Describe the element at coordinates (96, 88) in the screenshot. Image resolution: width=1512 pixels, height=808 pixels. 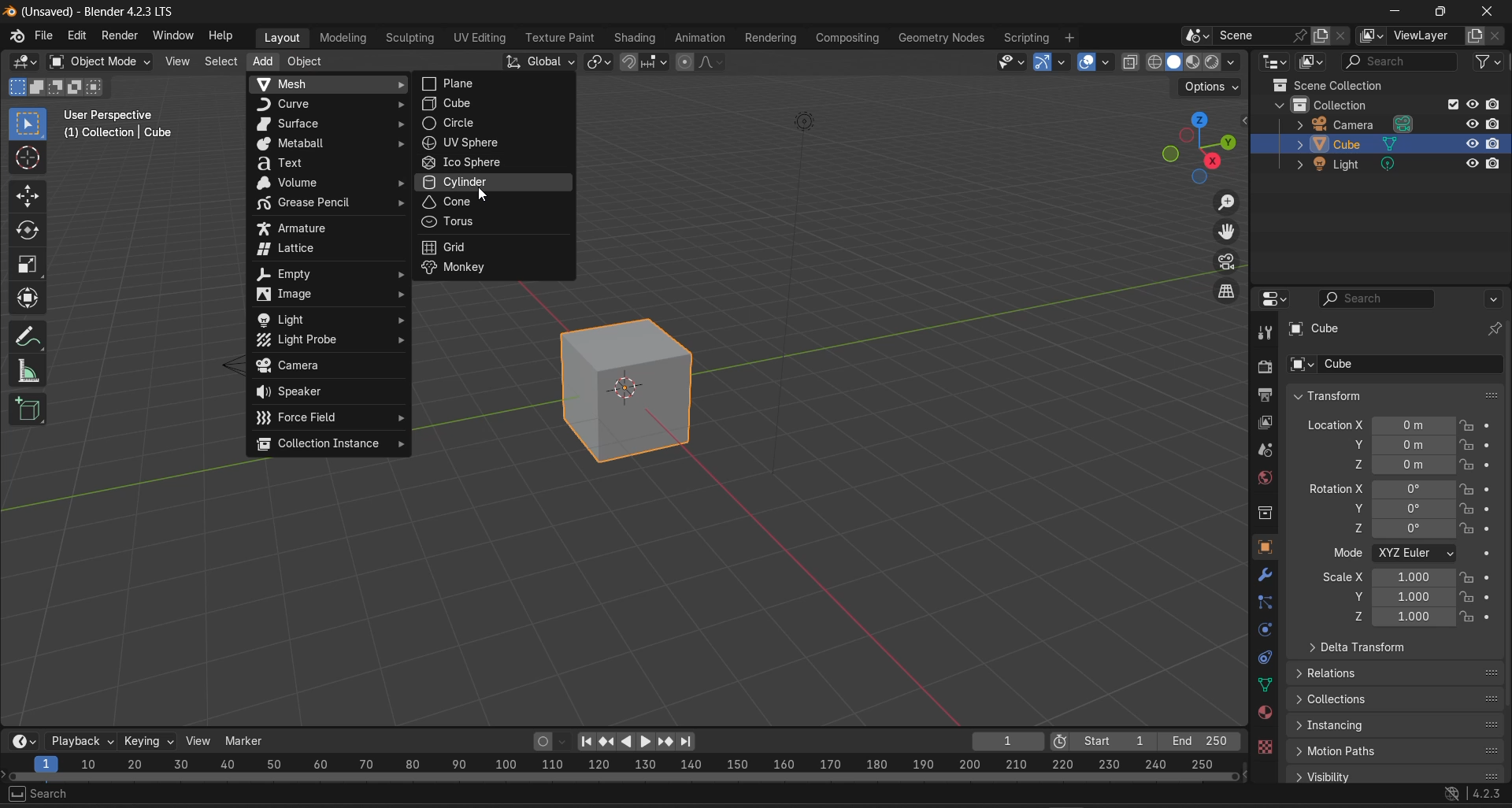
I see `mode: interact existing selection` at that location.